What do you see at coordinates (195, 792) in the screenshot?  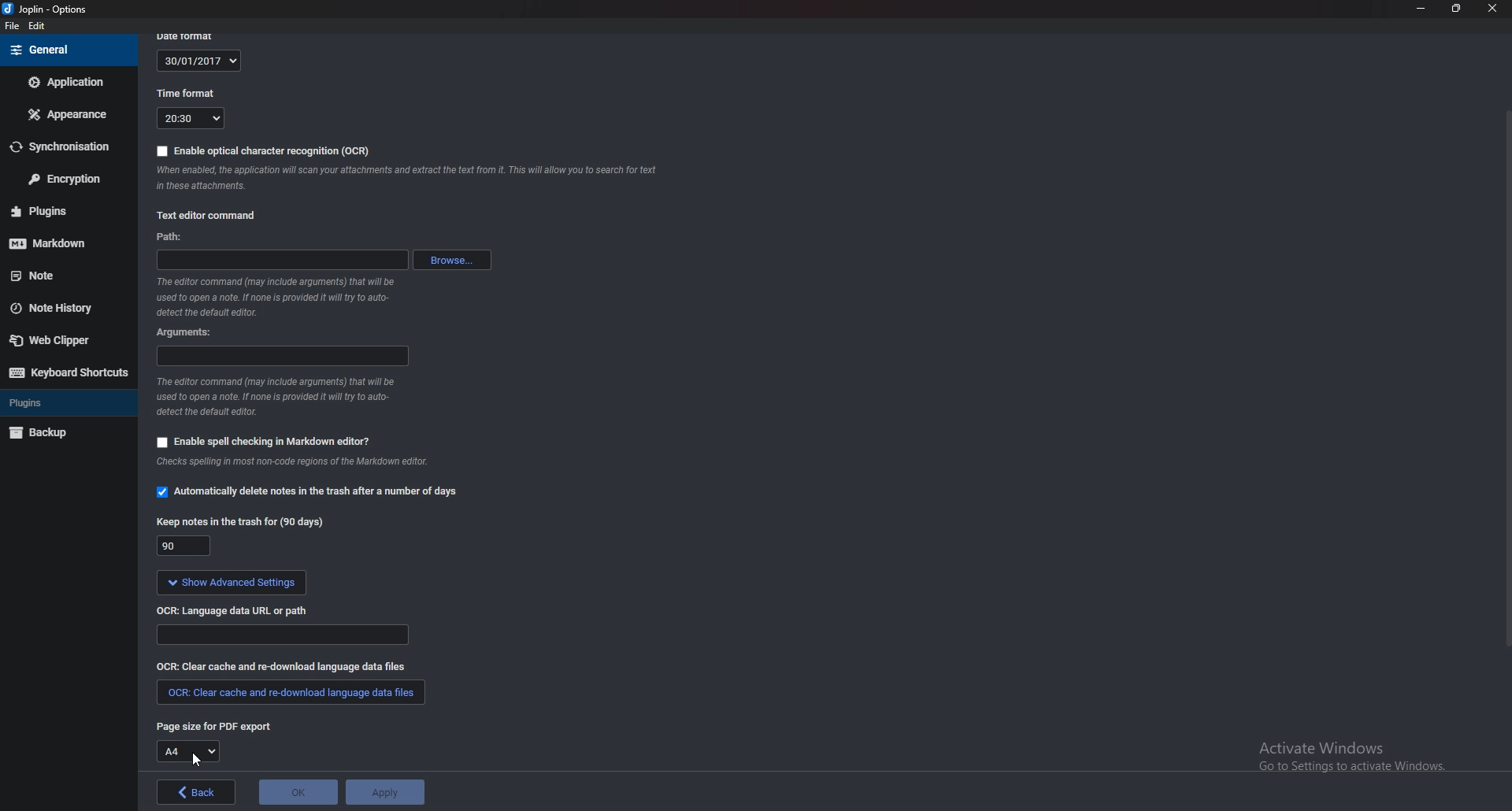 I see `back` at bounding box center [195, 792].